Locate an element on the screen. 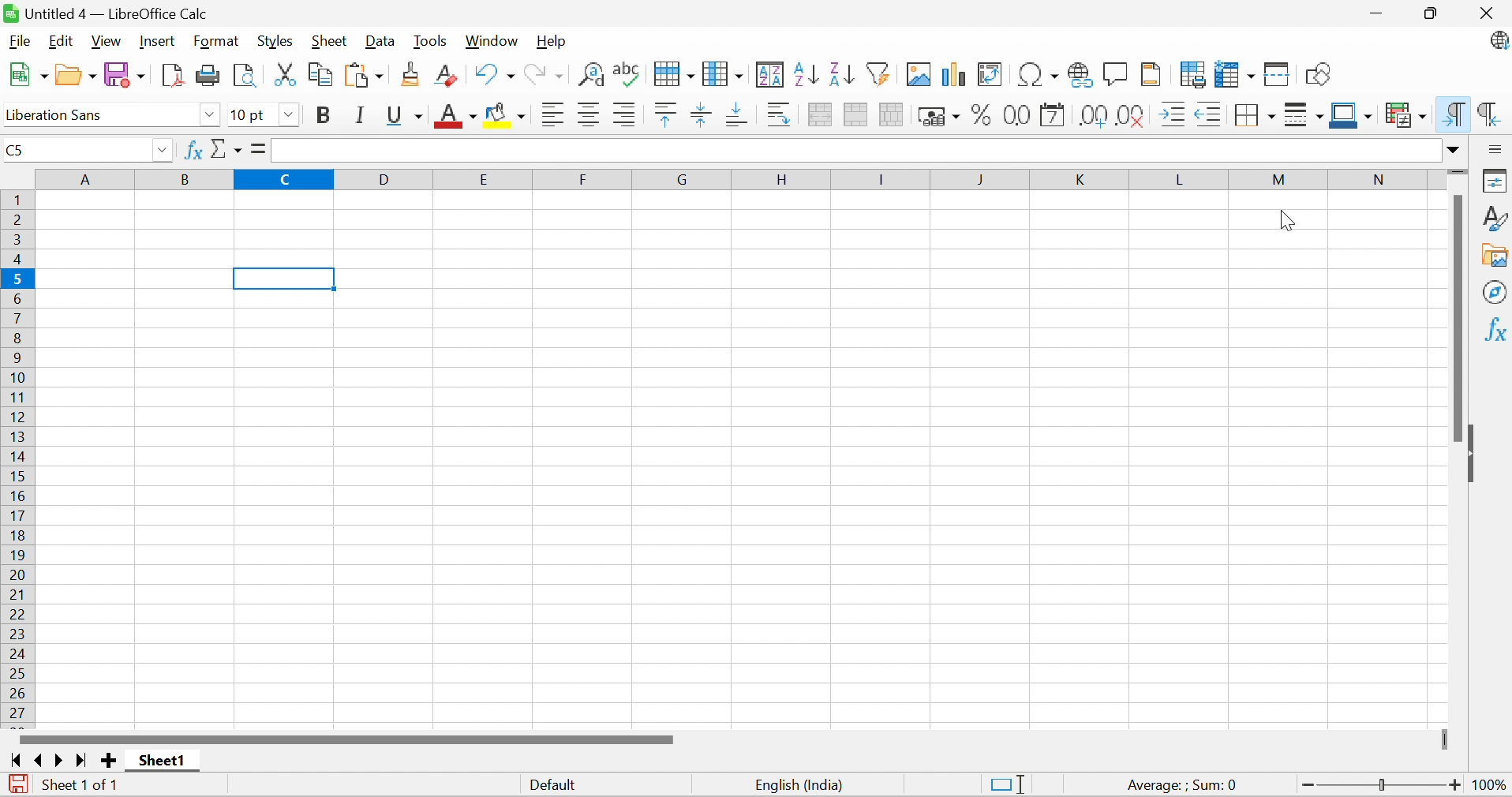 This screenshot has height=797, width=1512. Help is located at coordinates (551, 40).